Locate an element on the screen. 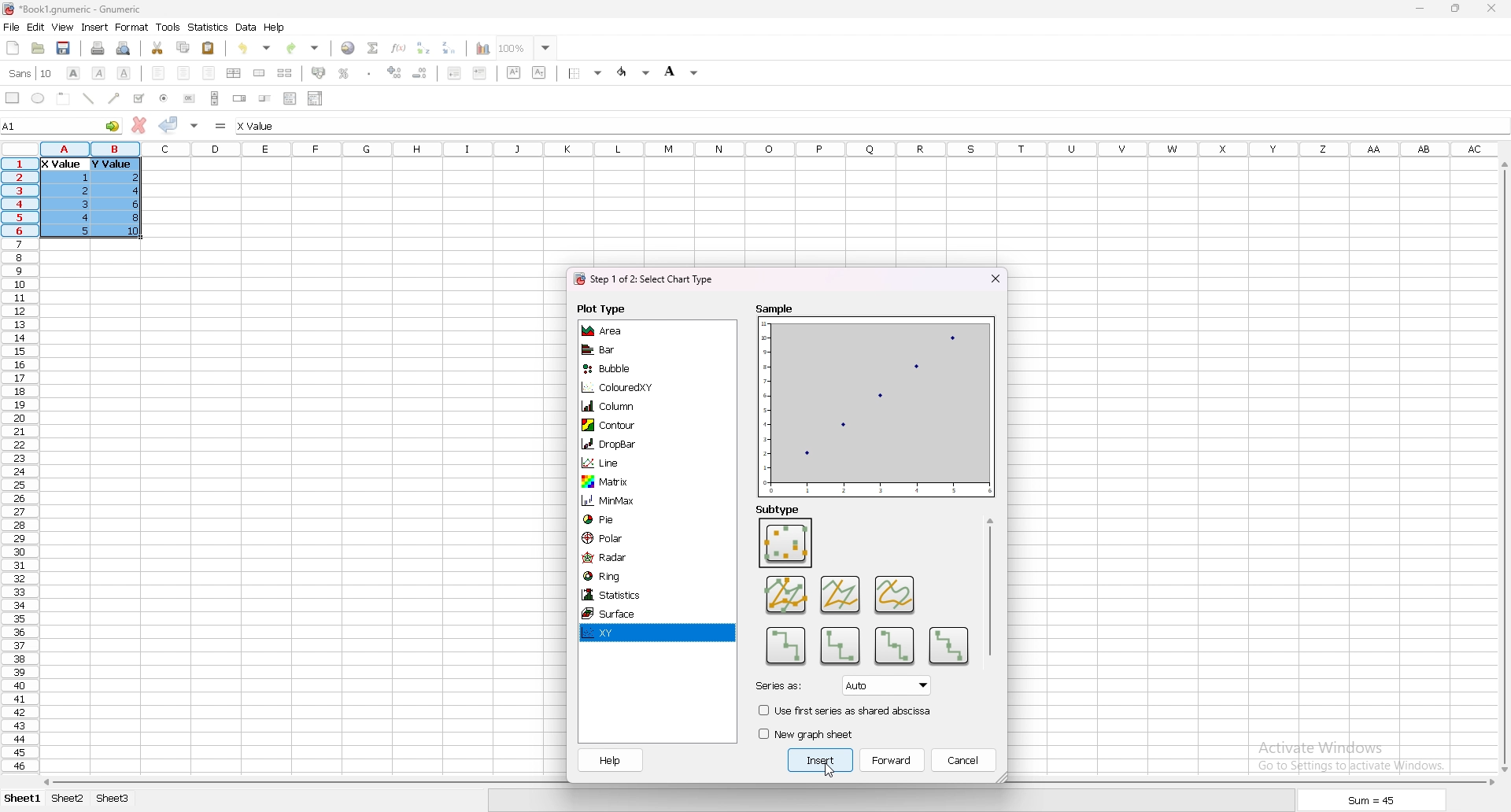  scroll bar is located at coordinates (992, 588).